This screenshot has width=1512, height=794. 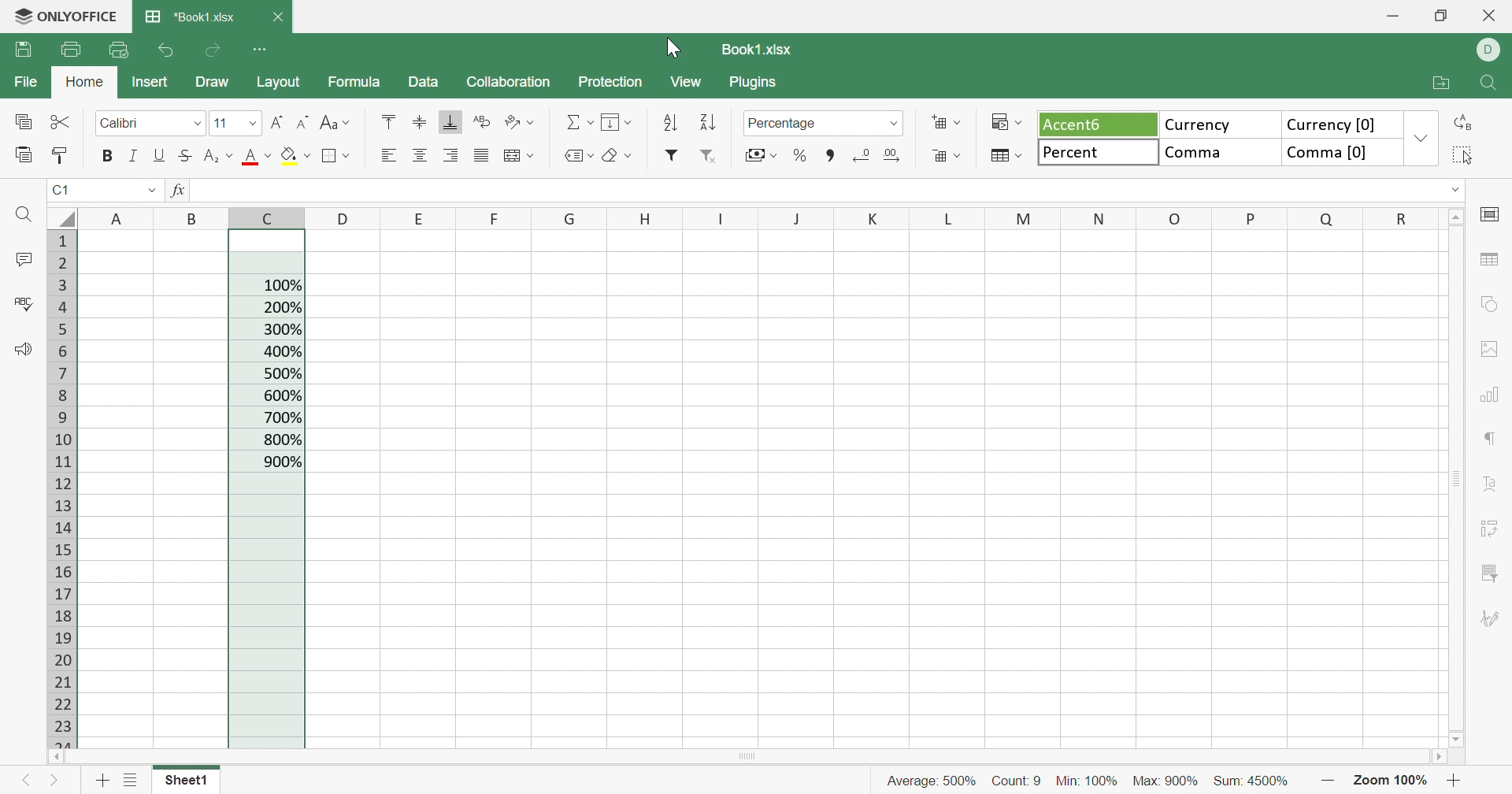 I want to click on Superscript / subscript, so click(x=218, y=155).